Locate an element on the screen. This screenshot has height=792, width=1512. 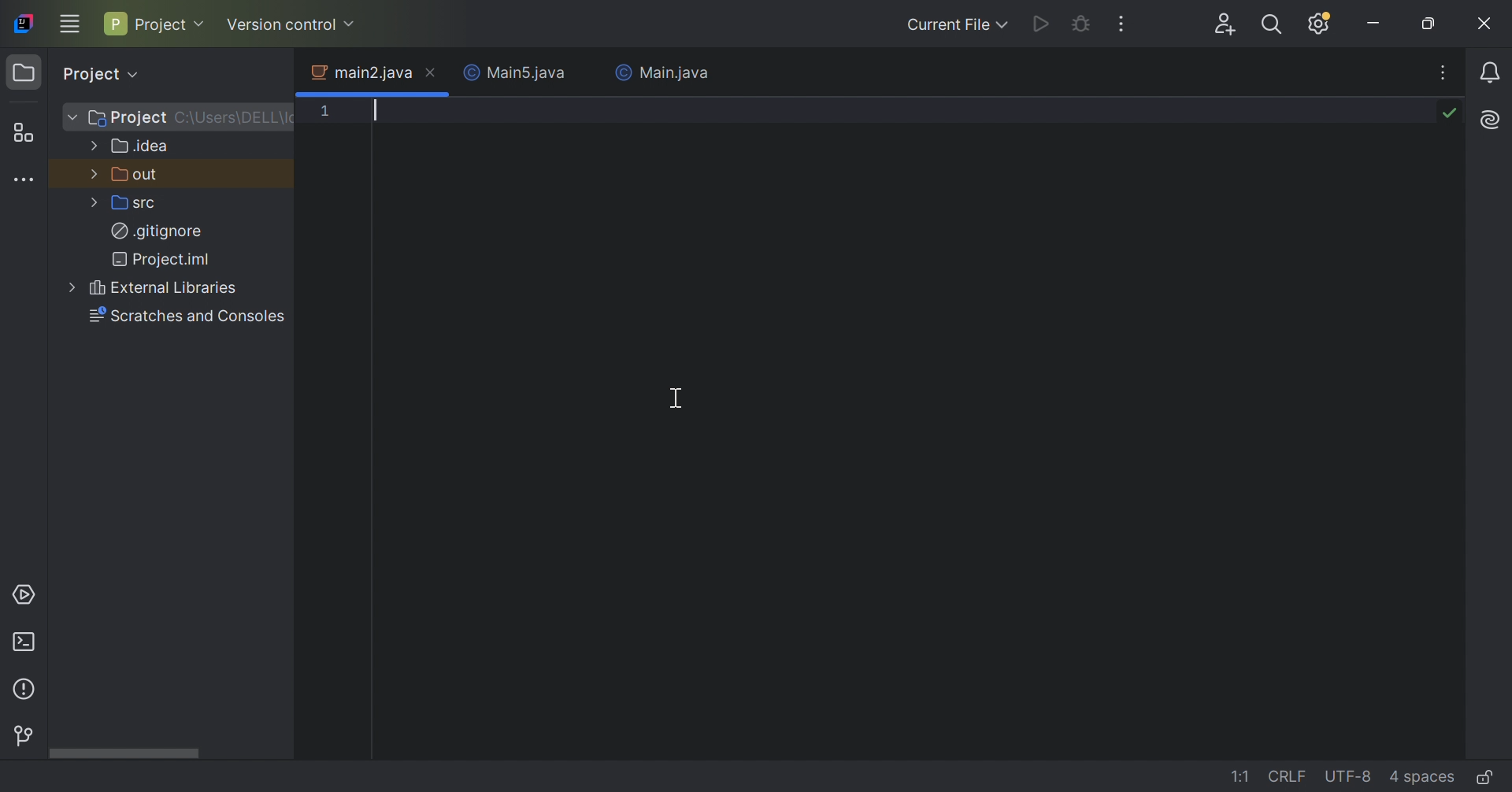
More tool windows is located at coordinates (24, 180).